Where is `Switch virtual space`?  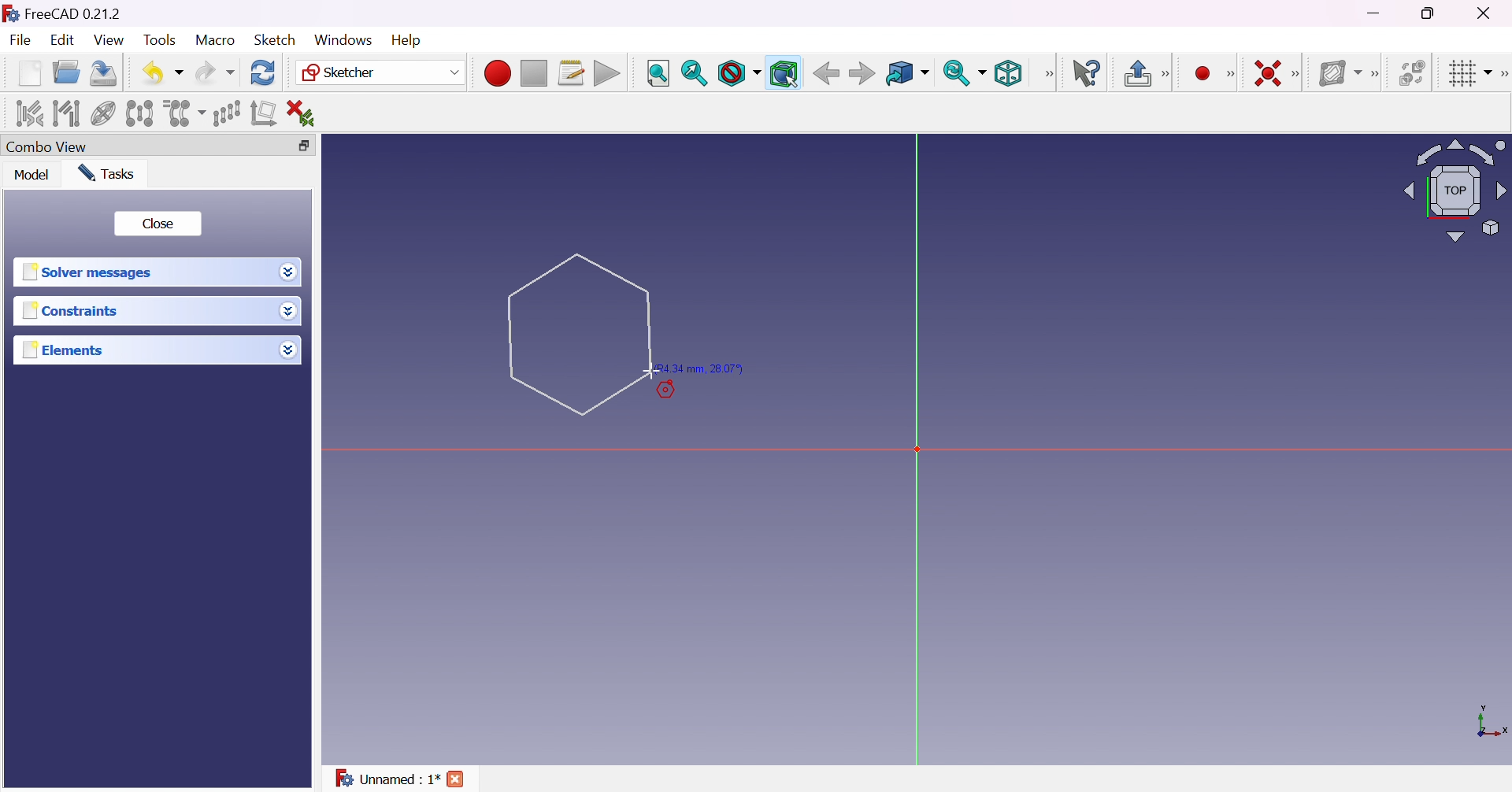
Switch virtual space is located at coordinates (1410, 72).